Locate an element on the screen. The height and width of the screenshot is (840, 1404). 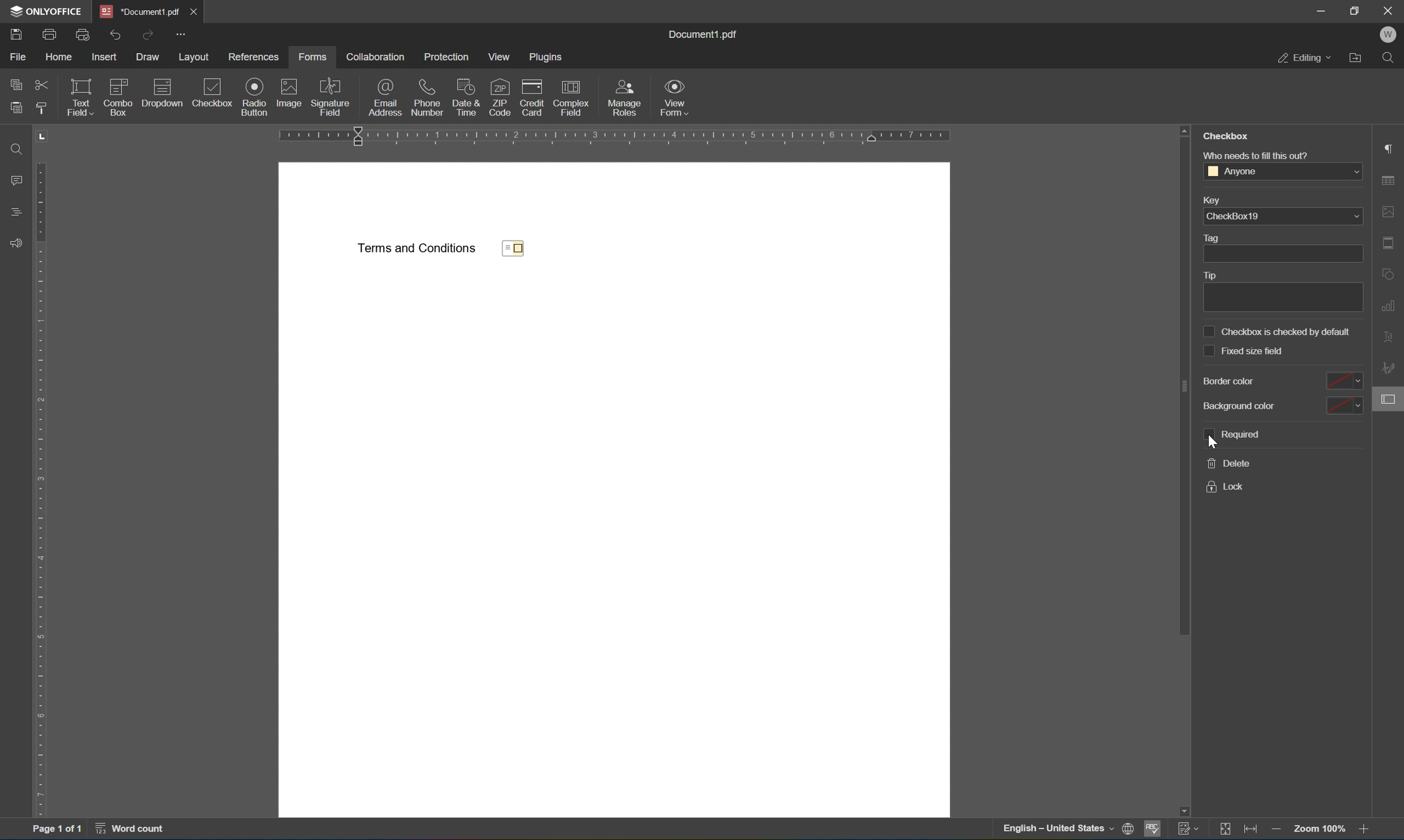
*document1.pdf is located at coordinates (137, 11).